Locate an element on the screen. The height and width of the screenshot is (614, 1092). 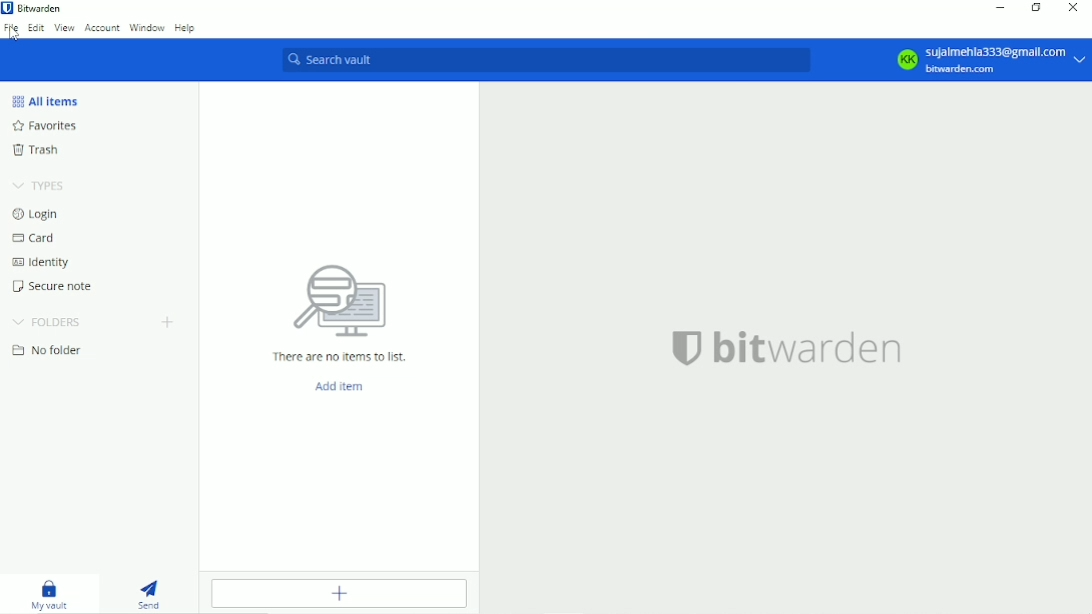
Window is located at coordinates (146, 26).